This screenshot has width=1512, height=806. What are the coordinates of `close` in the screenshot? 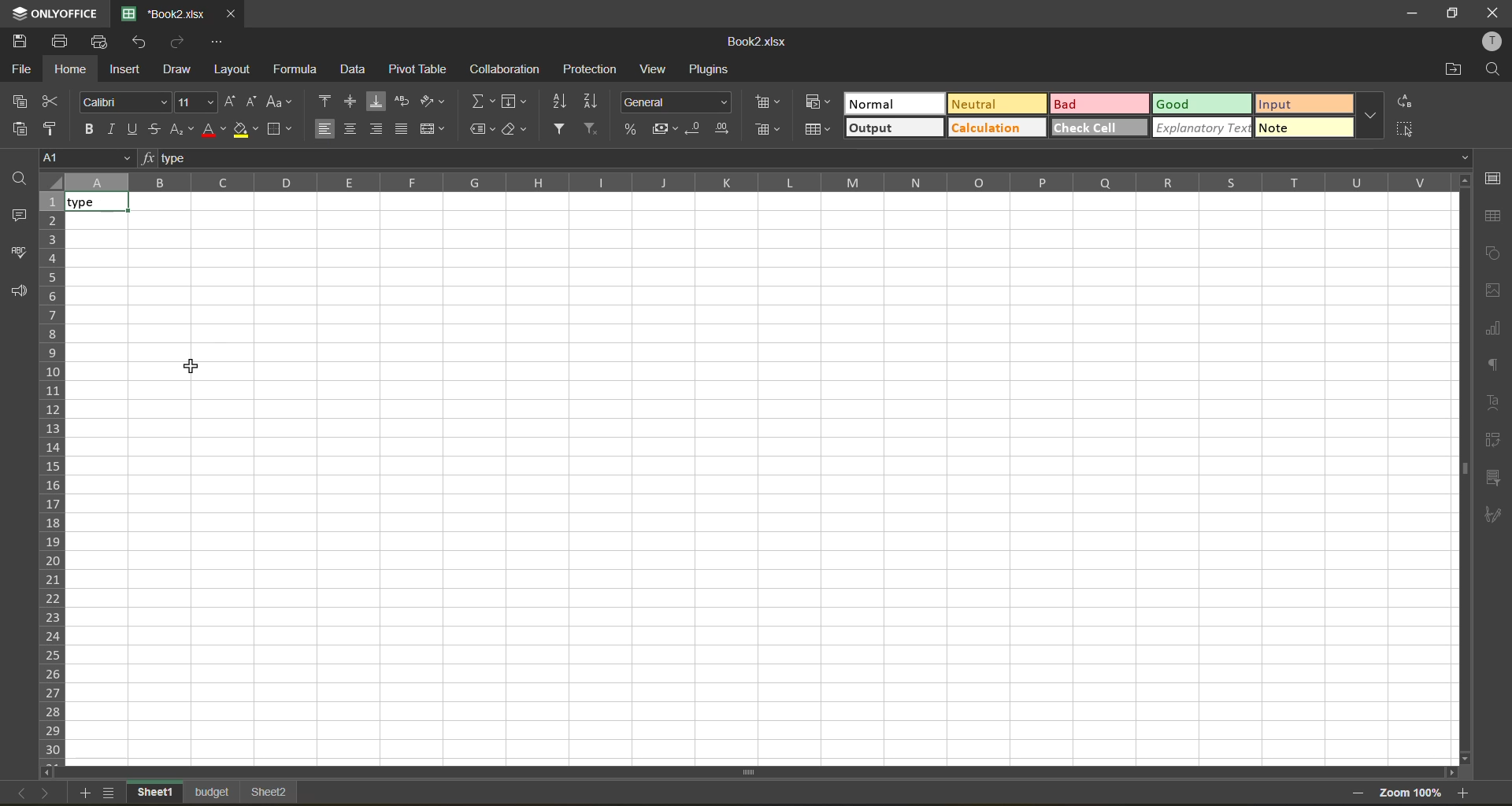 It's located at (1495, 12).